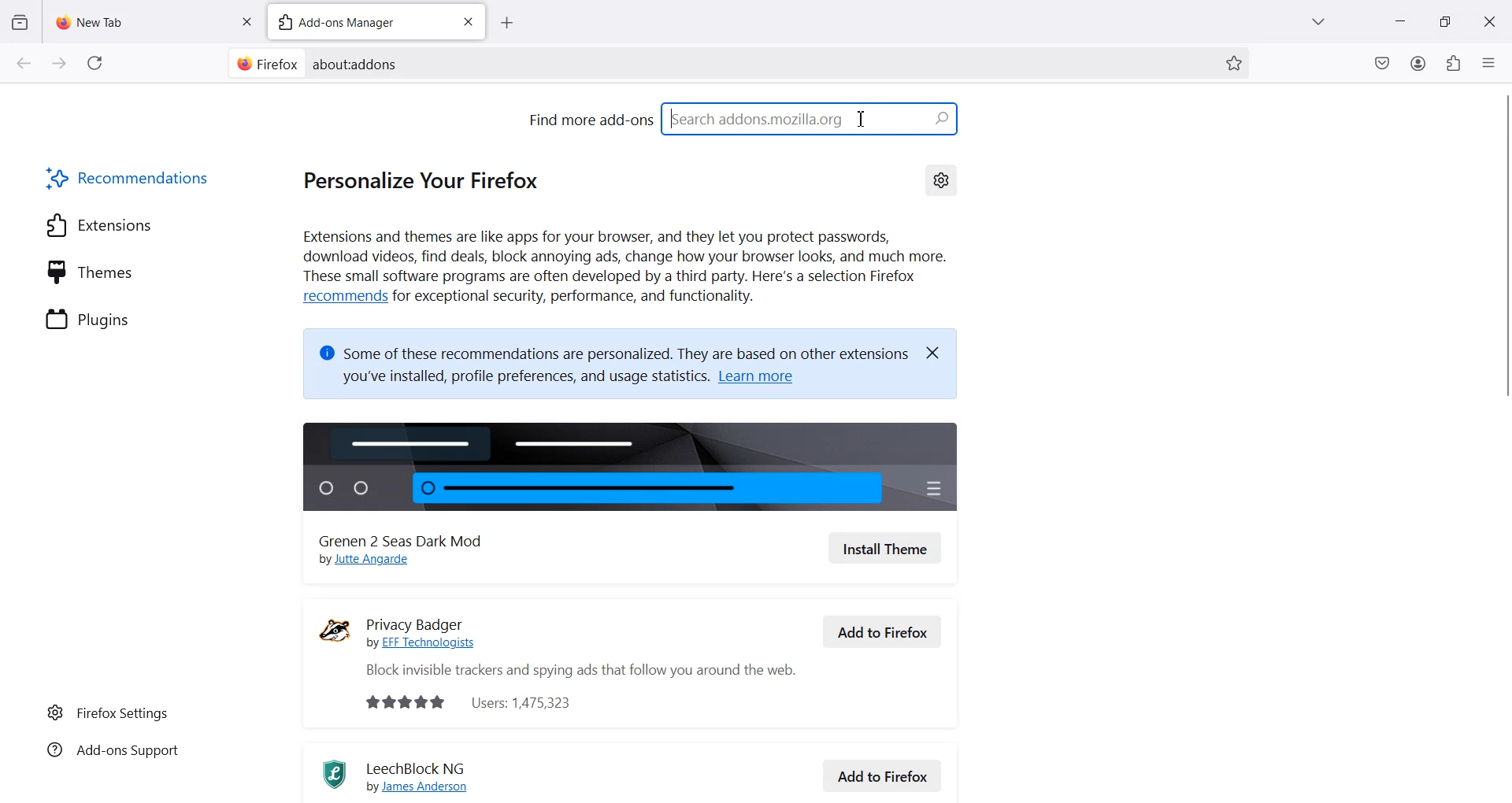 The width and height of the screenshot is (1512, 803). I want to click on Extensions, so click(1453, 63).